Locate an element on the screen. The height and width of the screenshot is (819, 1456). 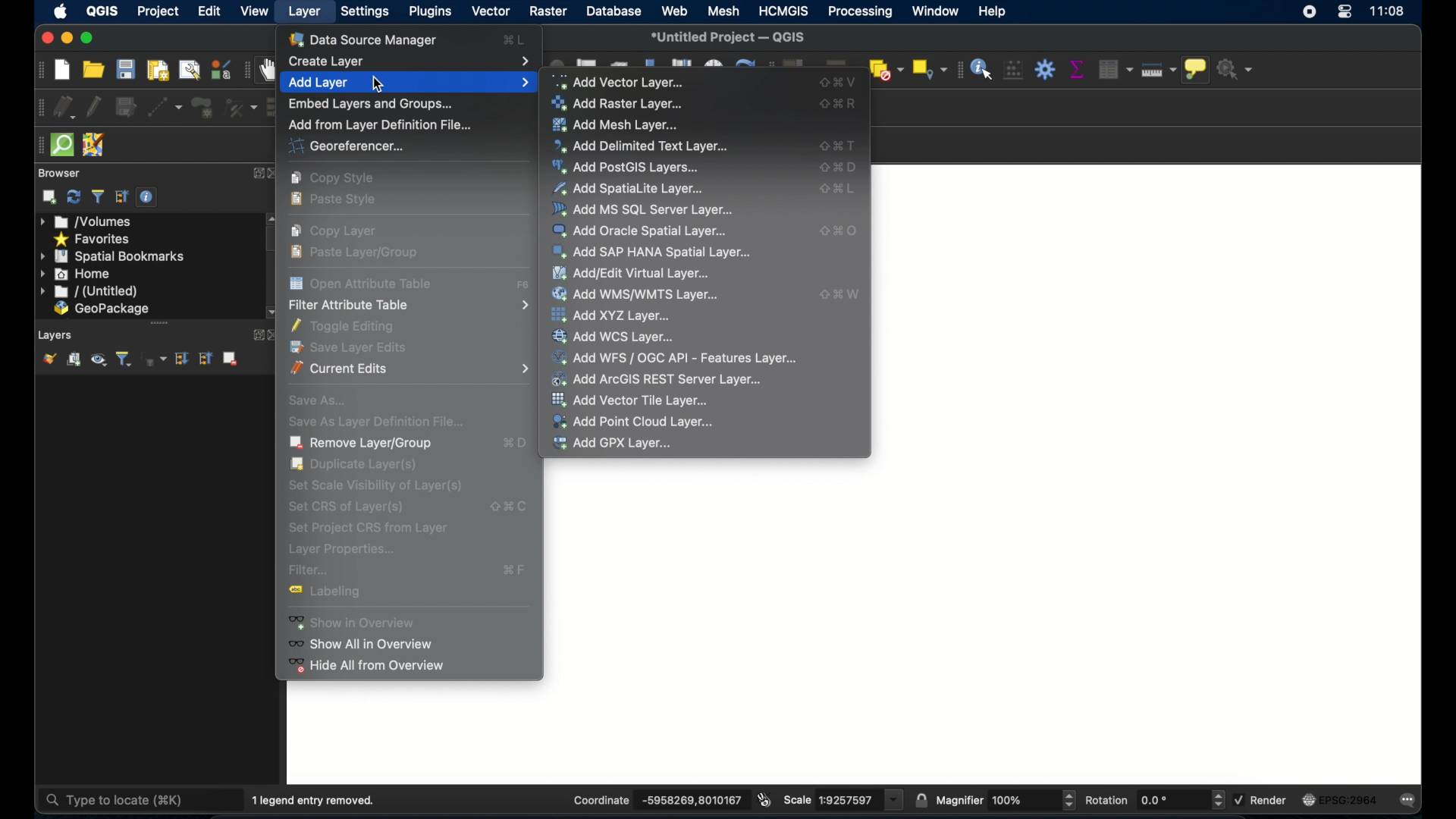
database is located at coordinates (616, 12).